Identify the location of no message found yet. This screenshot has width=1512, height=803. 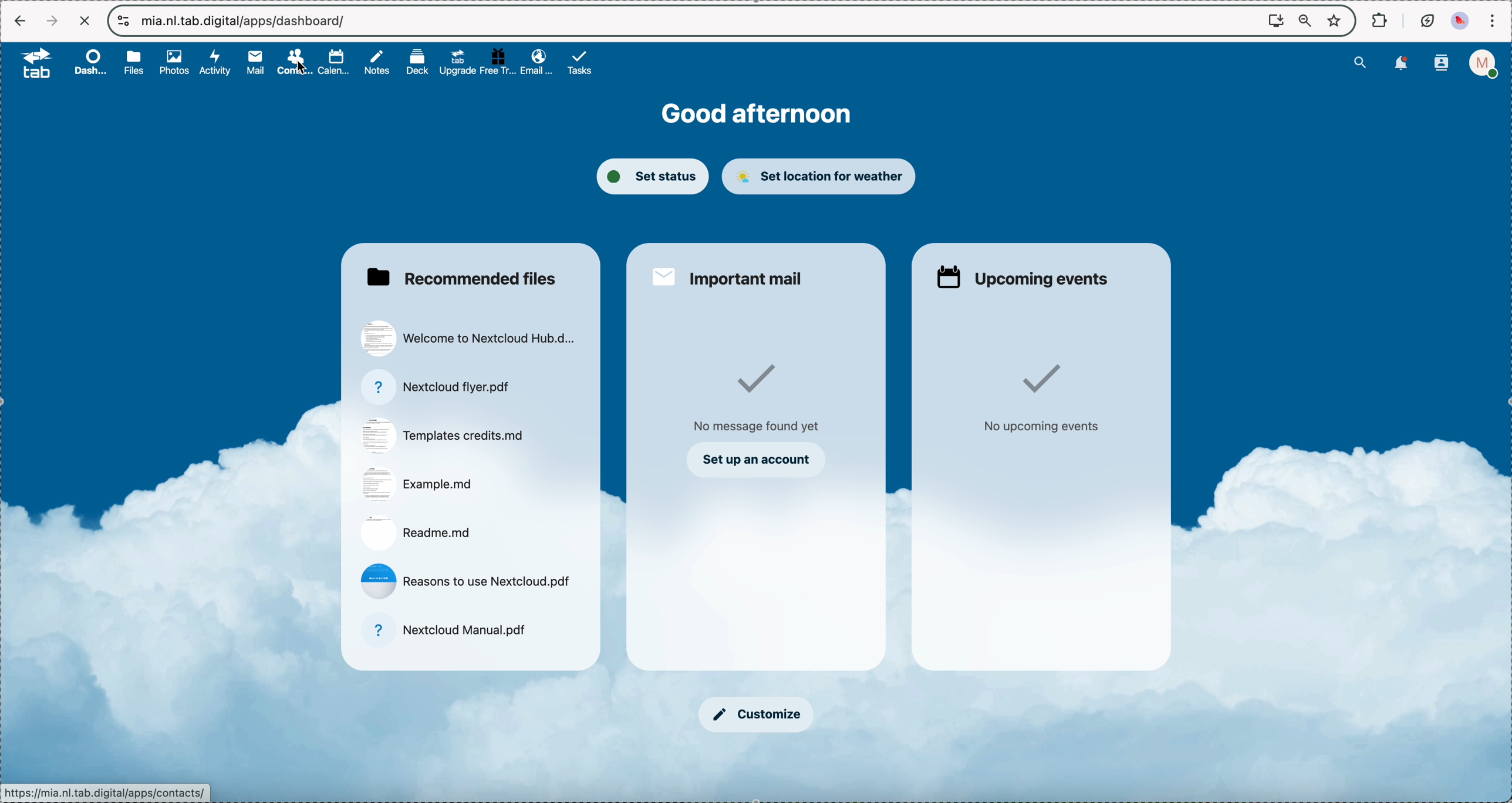
(759, 399).